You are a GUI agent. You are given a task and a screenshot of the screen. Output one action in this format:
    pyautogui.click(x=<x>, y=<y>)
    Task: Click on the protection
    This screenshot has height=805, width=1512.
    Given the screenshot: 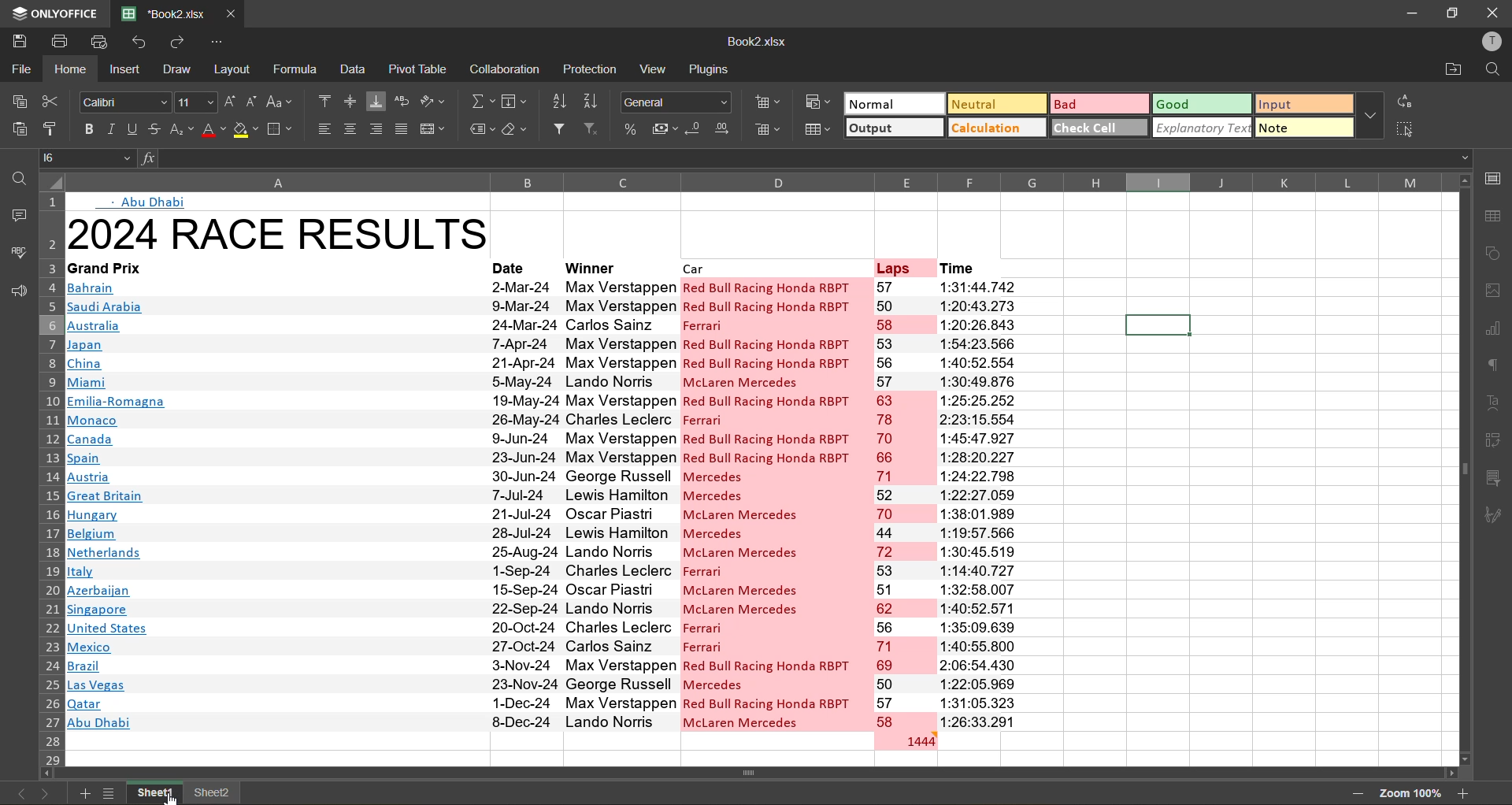 What is the action you would take?
    pyautogui.click(x=591, y=70)
    